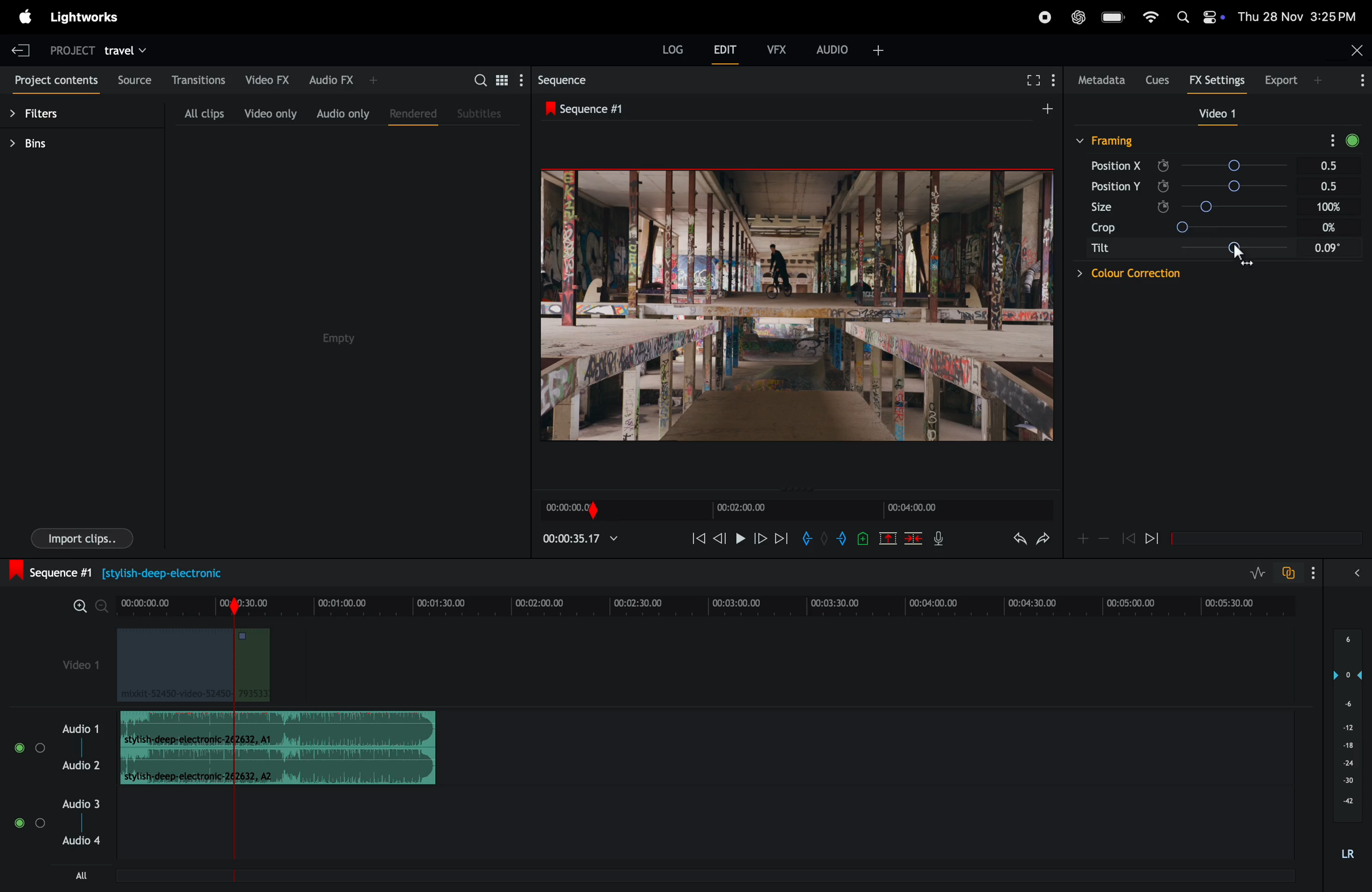 The height and width of the screenshot is (892, 1372). I want to click on audio level, so click(1348, 743).